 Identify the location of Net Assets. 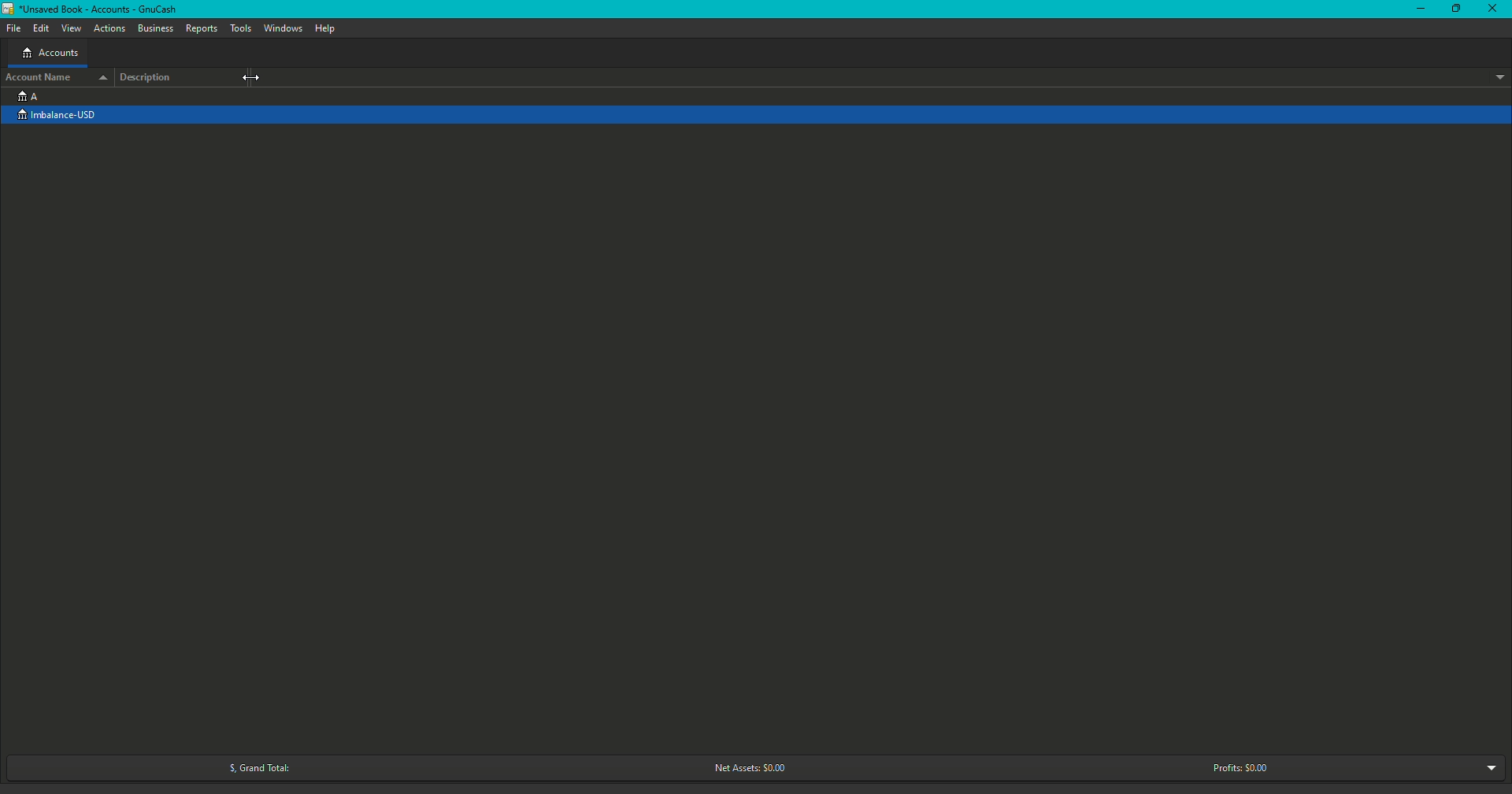
(746, 769).